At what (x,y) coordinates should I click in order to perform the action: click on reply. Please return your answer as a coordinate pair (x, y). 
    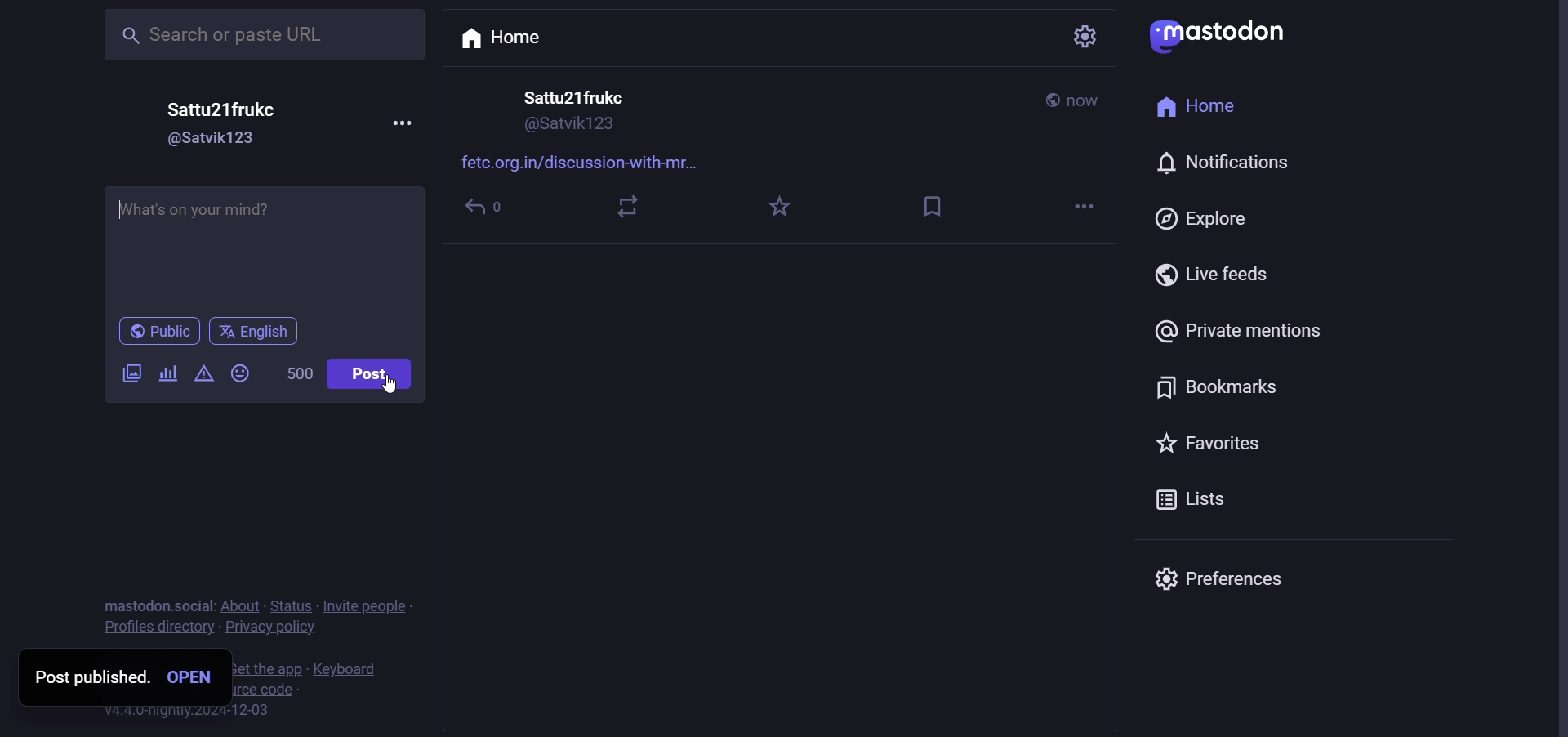
    Looking at the image, I should click on (488, 208).